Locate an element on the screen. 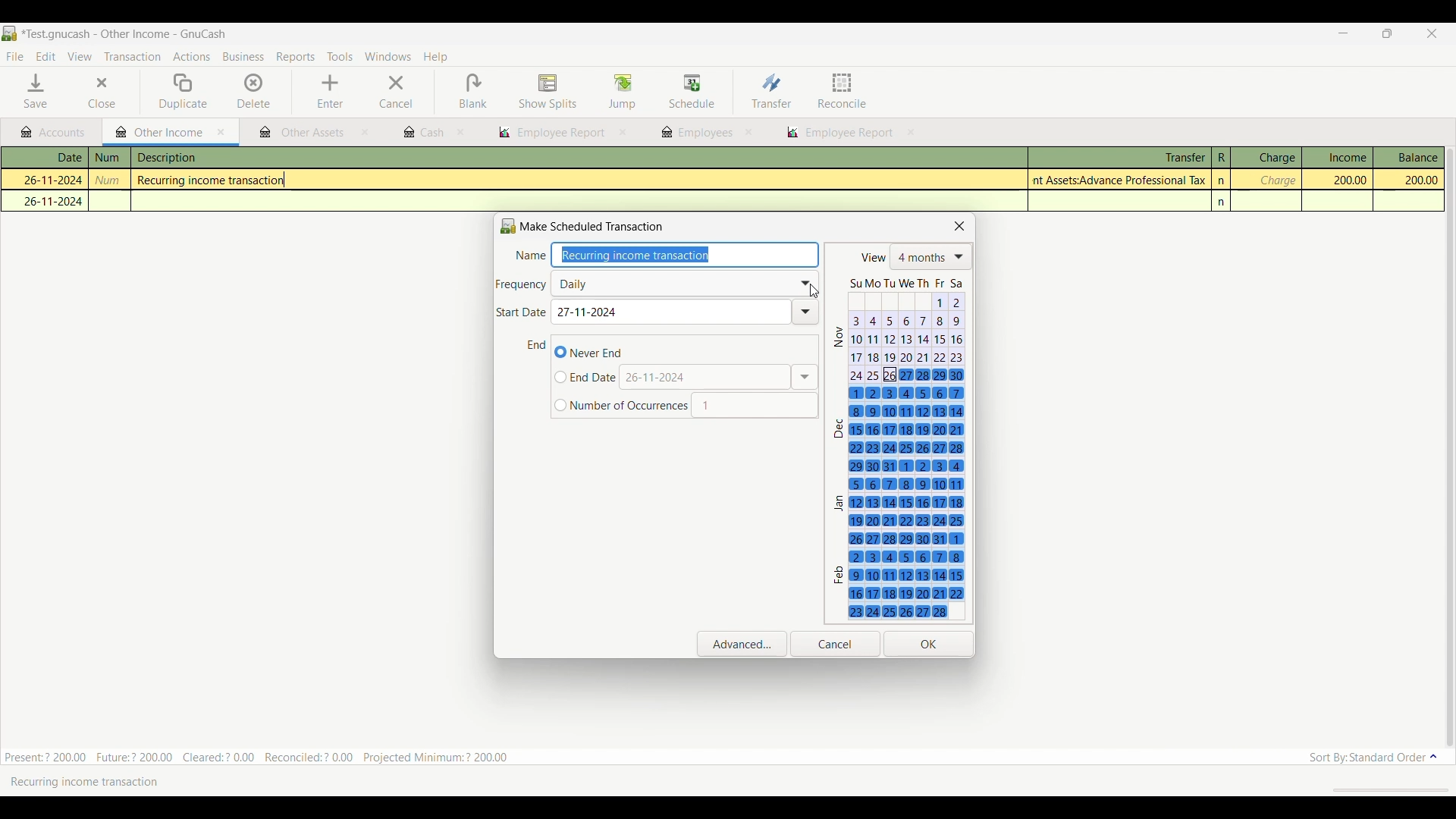 The width and height of the screenshot is (1456, 819). Sort order options is located at coordinates (1373, 758).